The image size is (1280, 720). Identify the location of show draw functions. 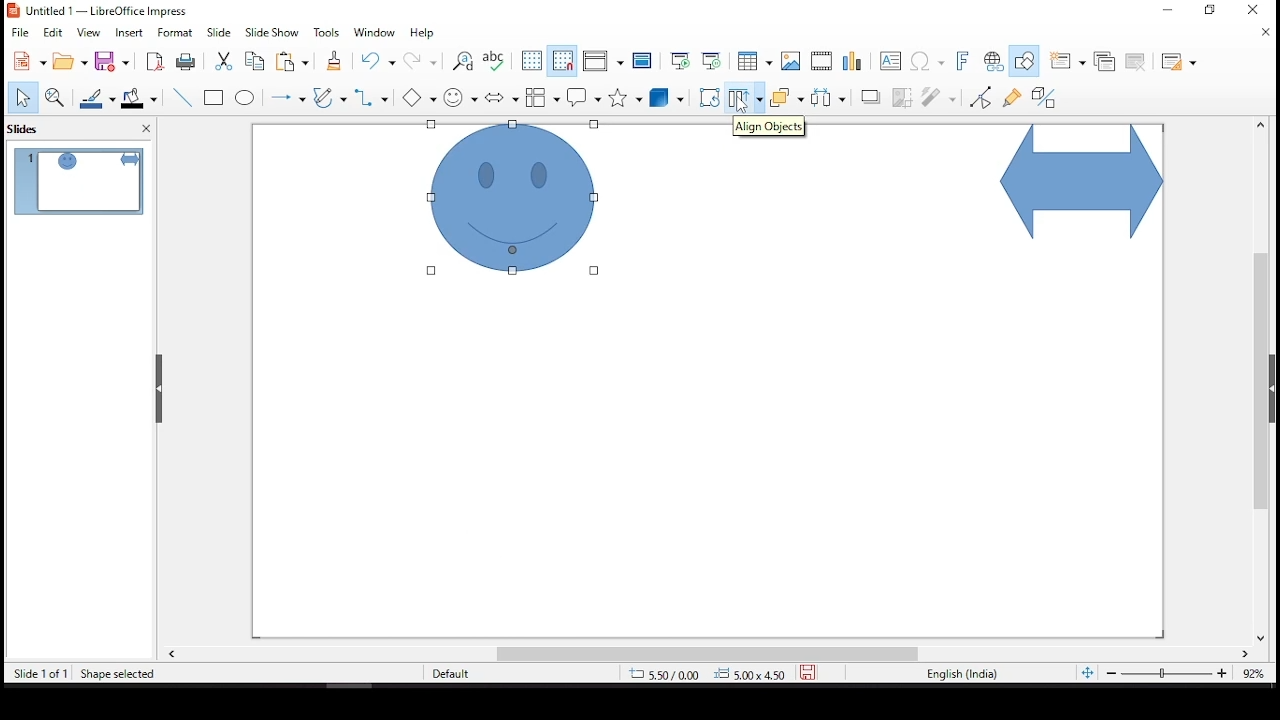
(1023, 61).